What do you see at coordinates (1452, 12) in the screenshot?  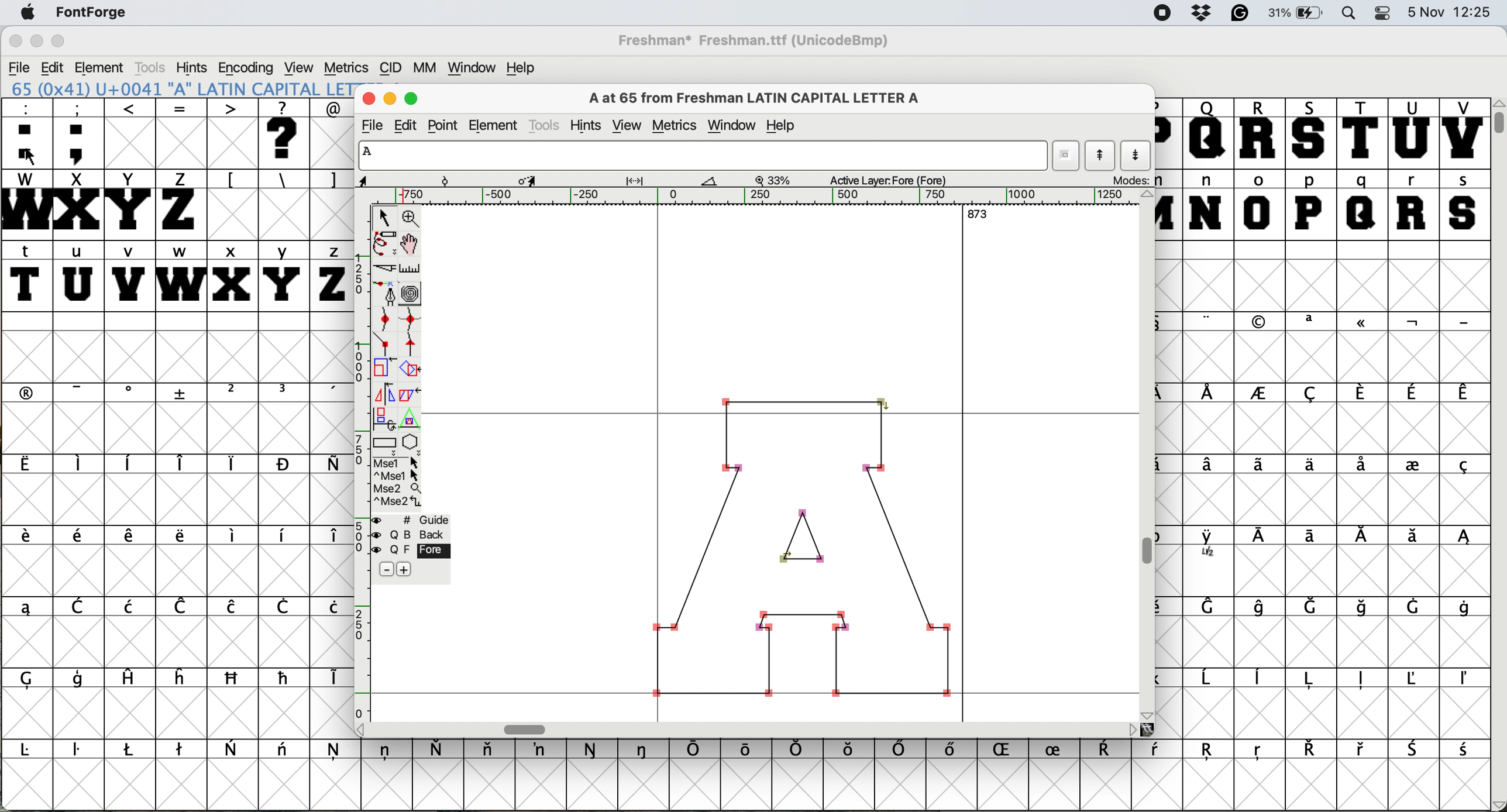 I see `date and time` at bounding box center [1452, 12].